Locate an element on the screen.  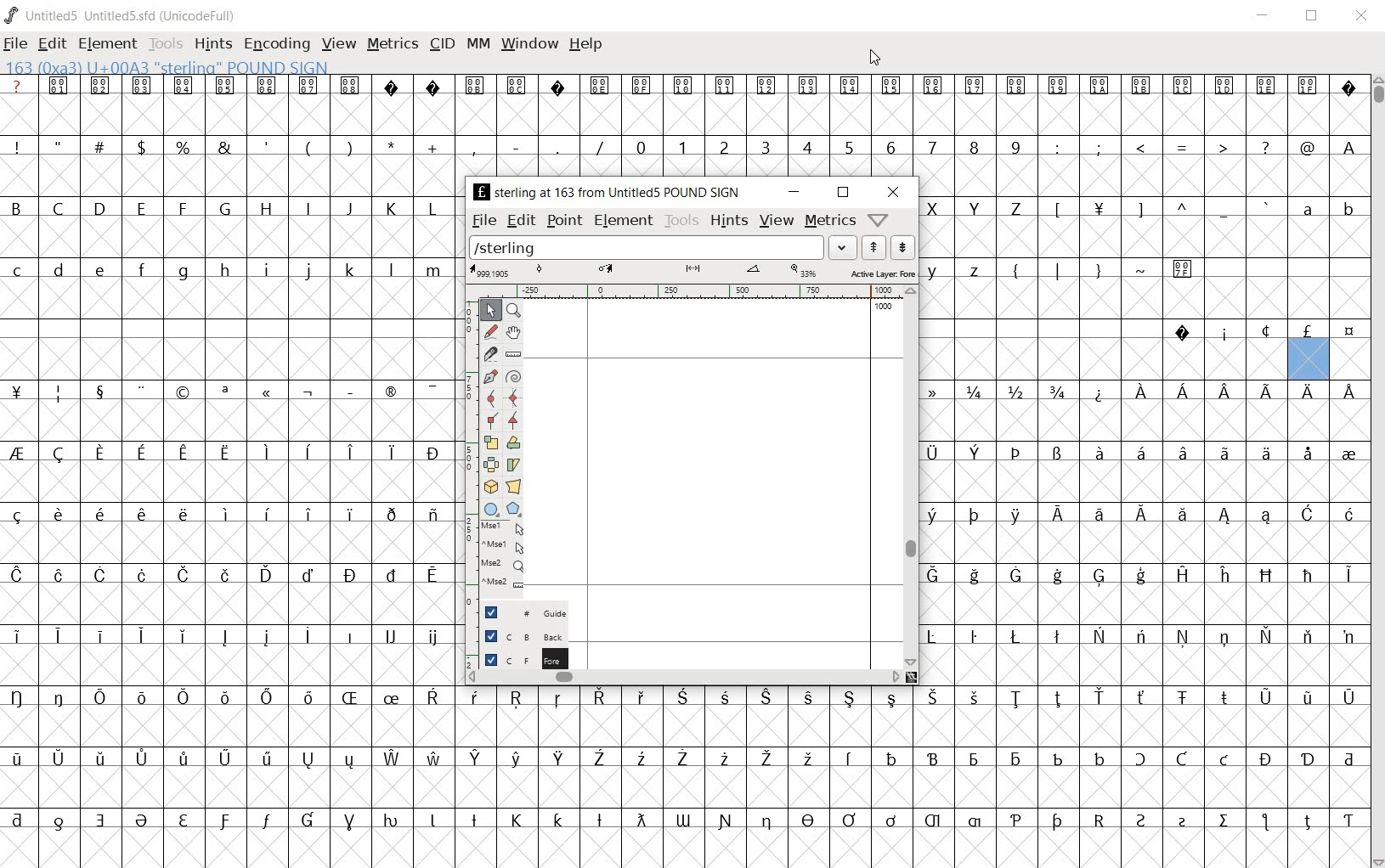
Symbol is located at coordinates (807, 821).